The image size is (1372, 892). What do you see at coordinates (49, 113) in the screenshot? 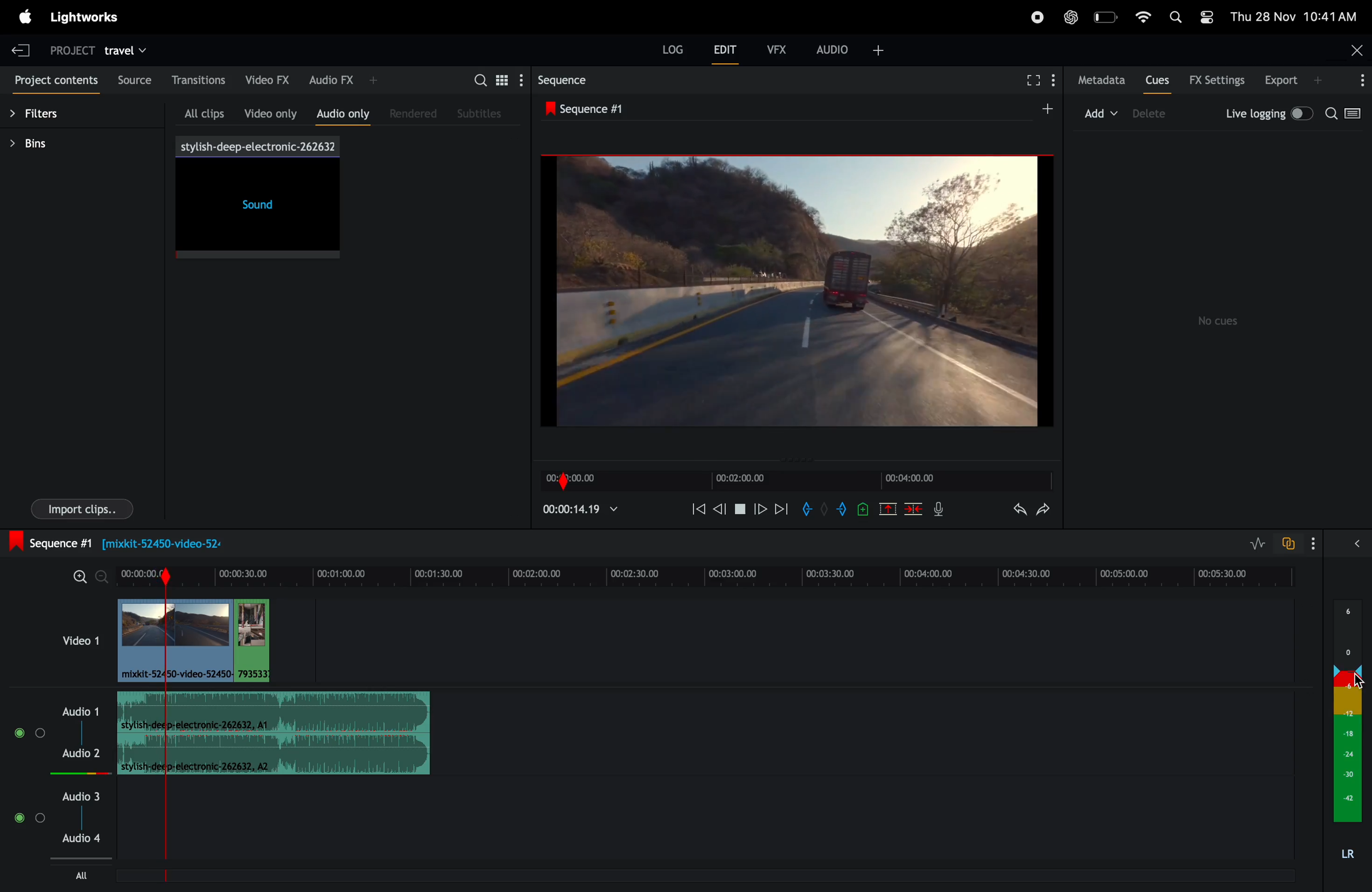
I see `filters` at bounding box center [49, 113].